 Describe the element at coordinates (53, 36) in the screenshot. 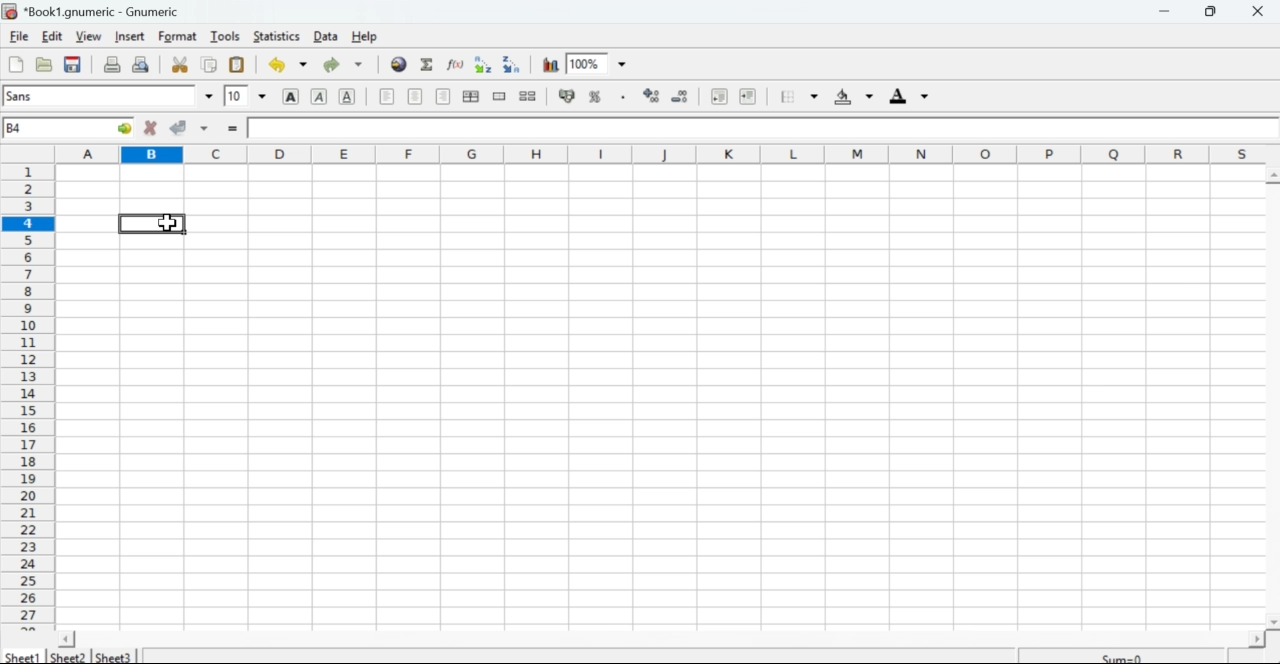

I see `Edit` at that location.